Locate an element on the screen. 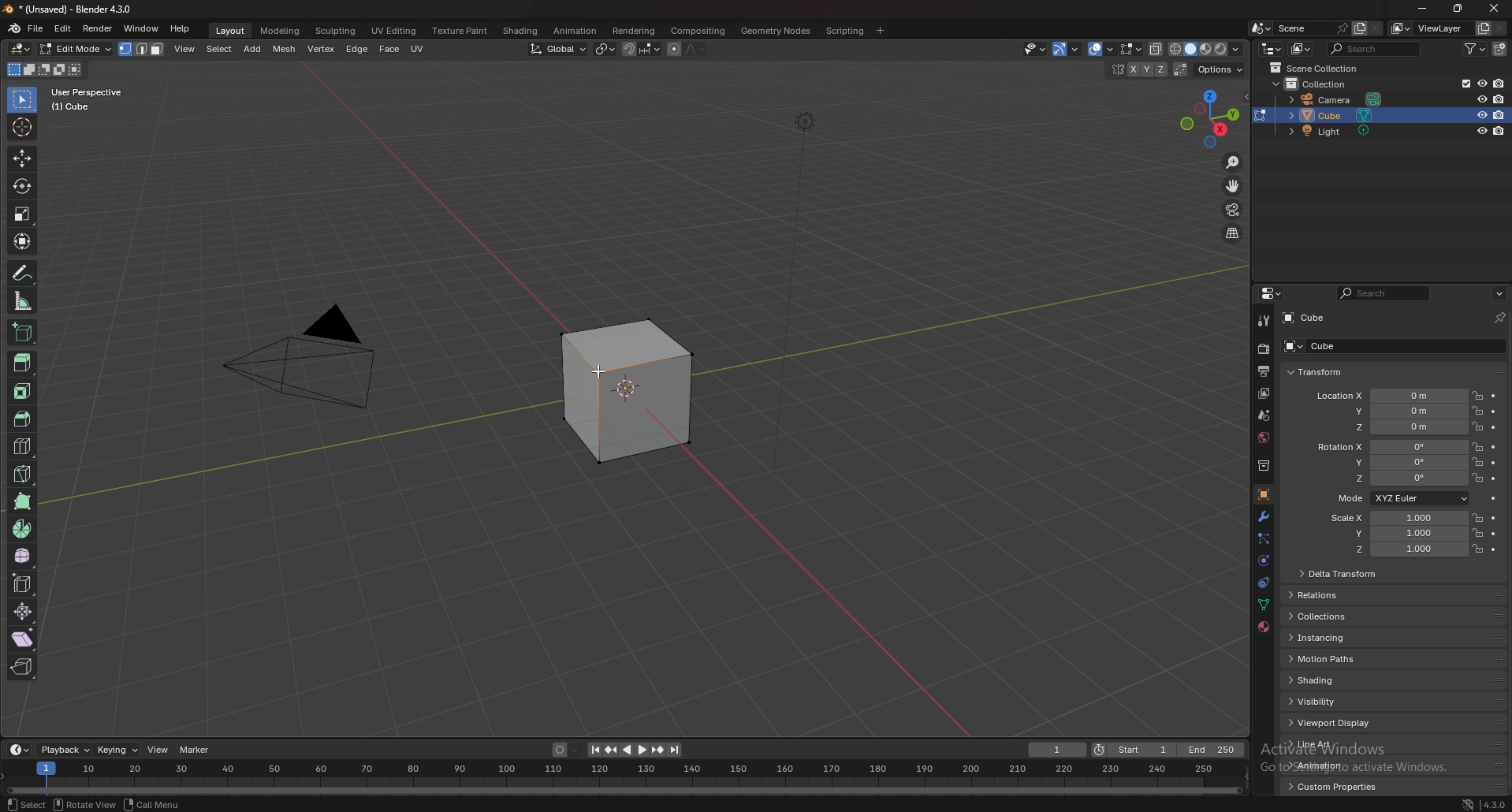 The width and height of the screenshot is (1512, 812). ENABLE MESH SYMMETRY is located at coordinates (1138, 70).